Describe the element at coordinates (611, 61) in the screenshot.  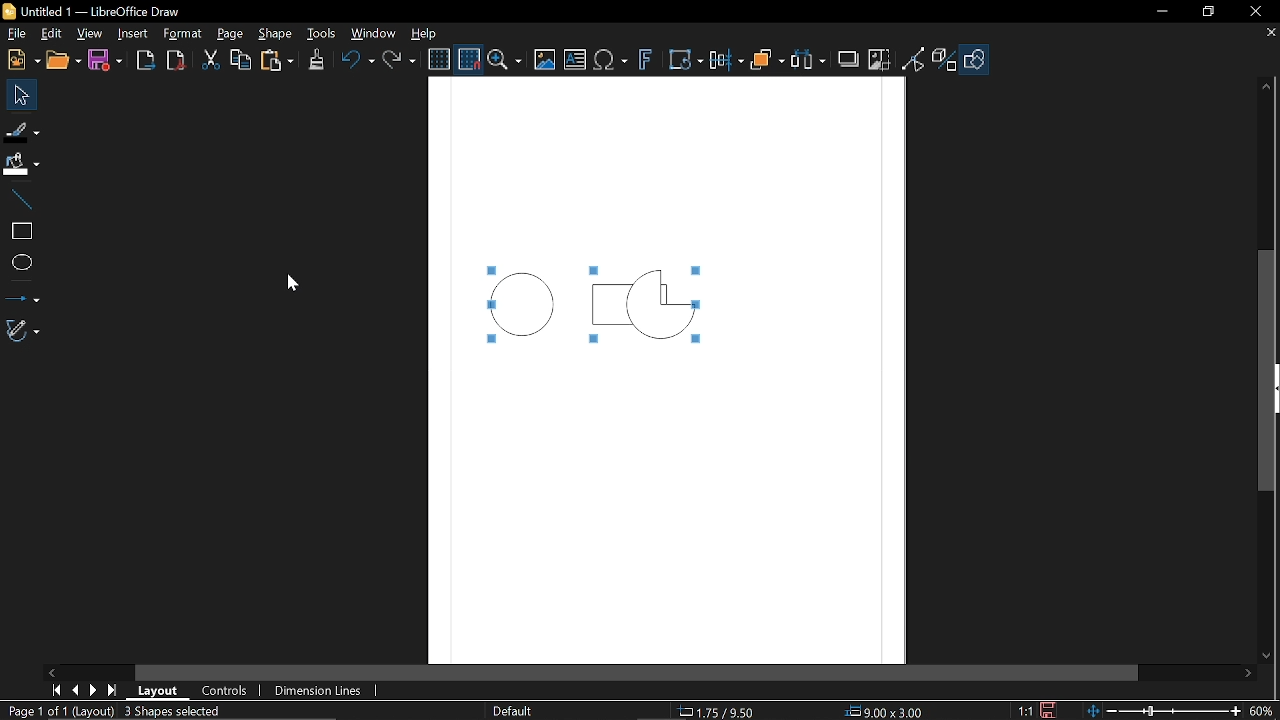
I see `Insert text` at that location.